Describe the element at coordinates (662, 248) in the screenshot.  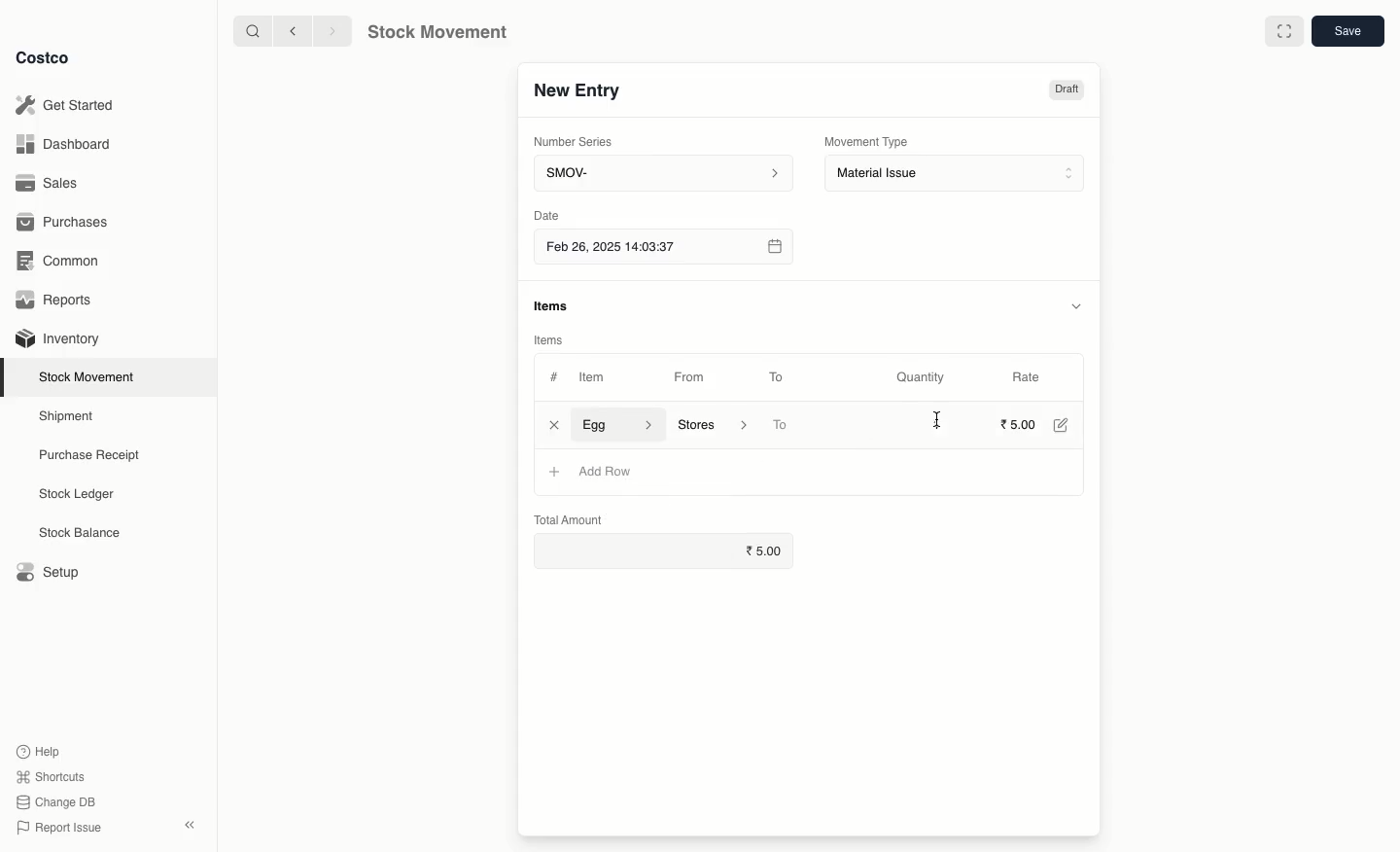
I see `Feb 26, 2025 14:03:37` at that location.